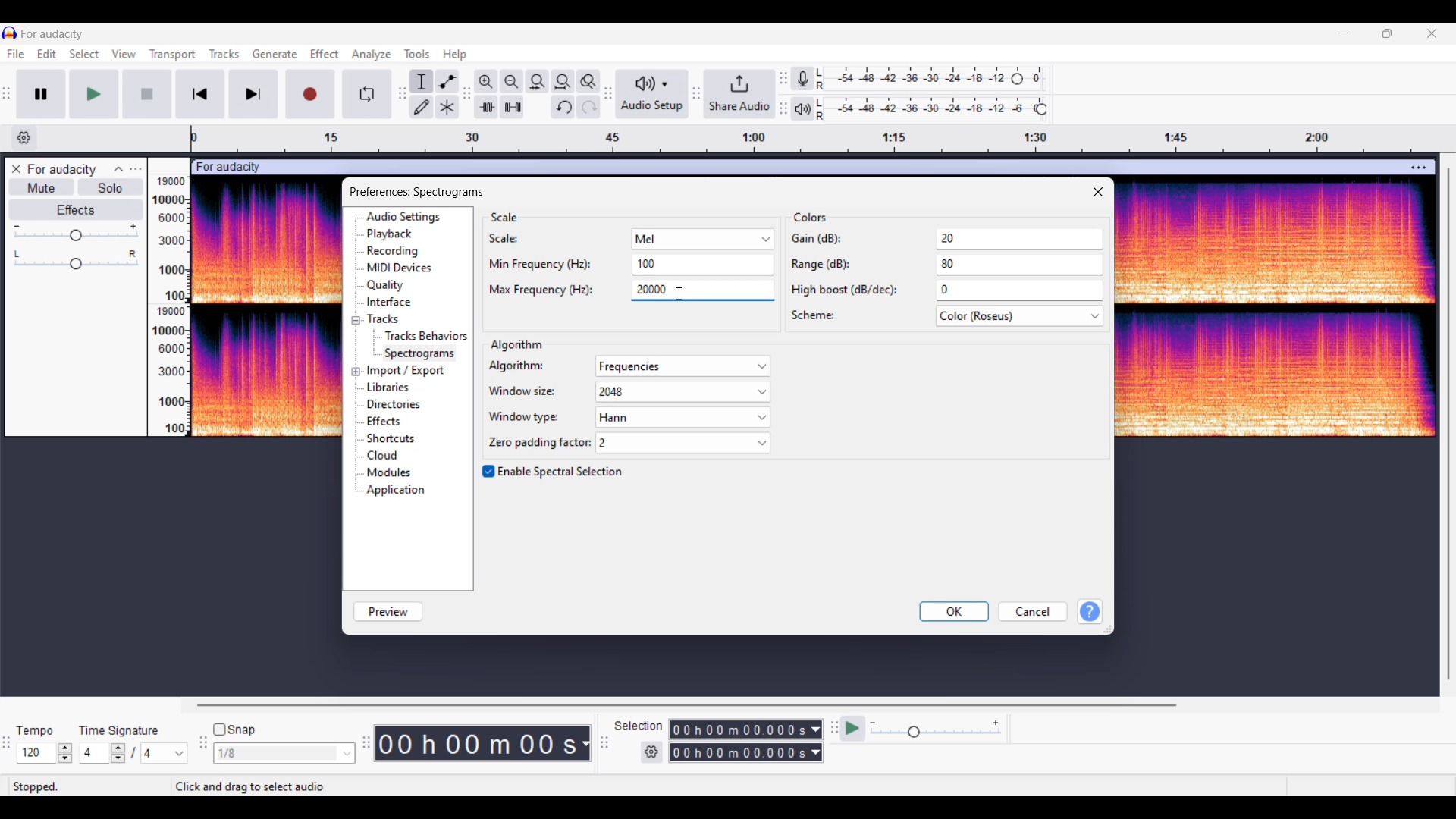 The image size is (1456, 819). What do you see at coordinates (42, 187) in the screenshot?
I see `Mute` at bounding box center [42, 187].